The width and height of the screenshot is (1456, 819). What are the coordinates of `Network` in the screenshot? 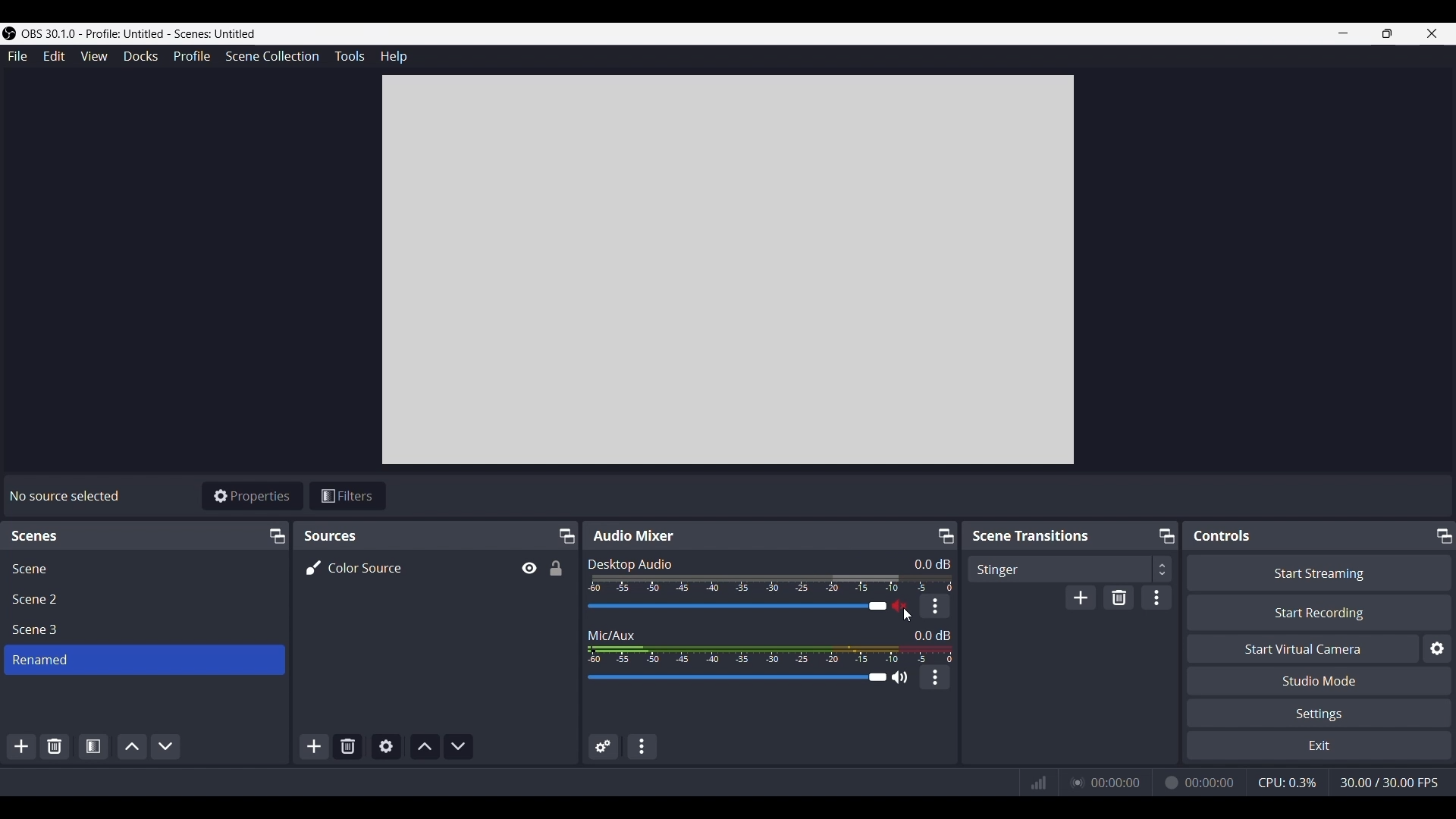 It's located at (1034, 783).